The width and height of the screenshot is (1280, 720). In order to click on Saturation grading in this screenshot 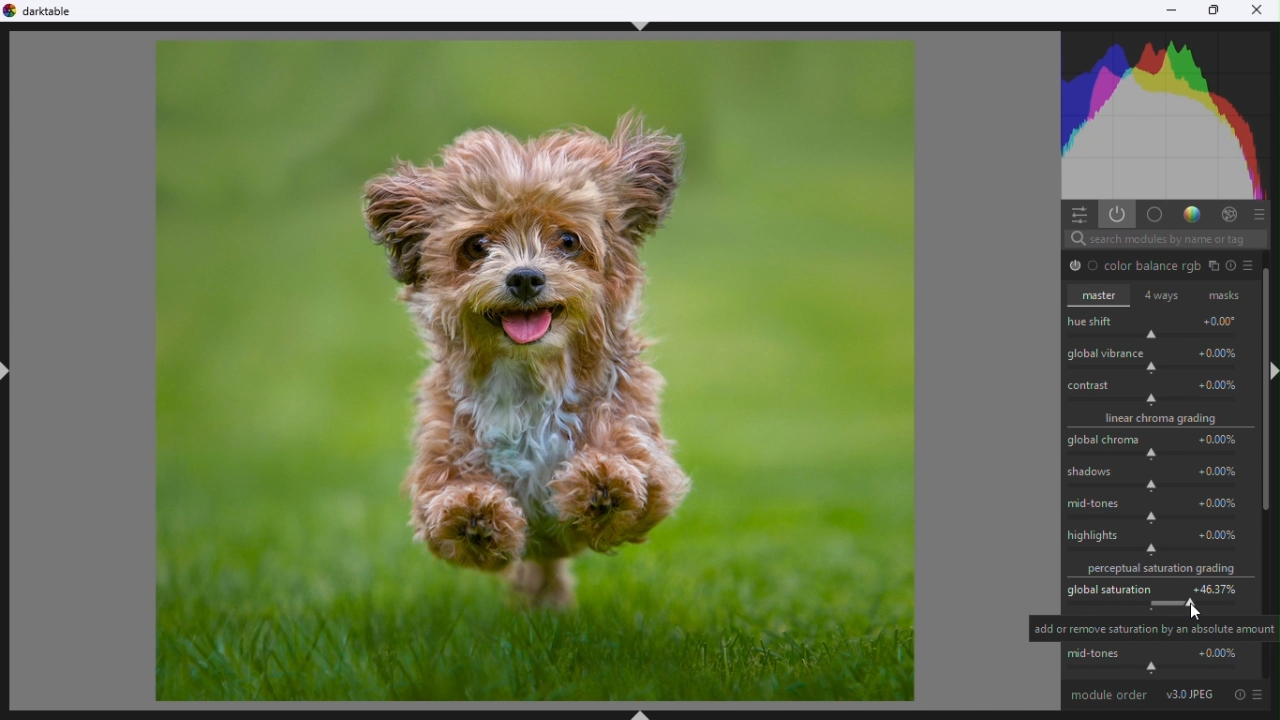, I will do `click(1163, 571)`.